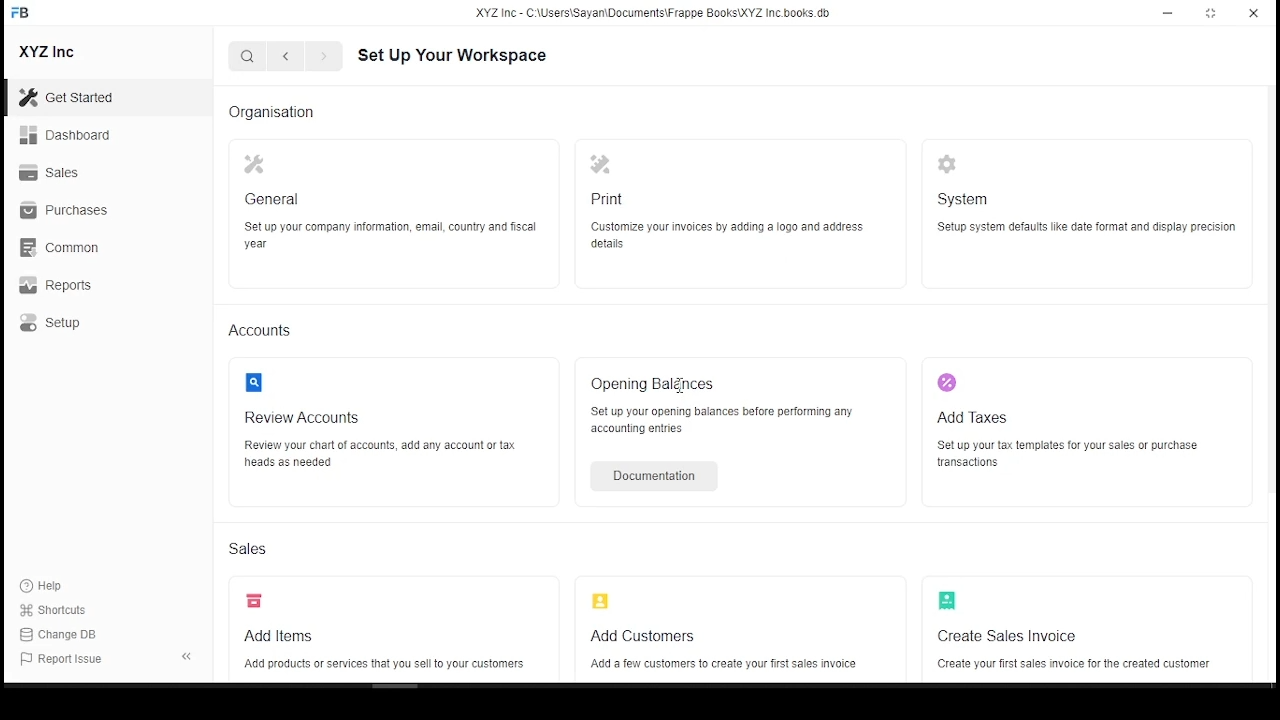 This screenshot has height=720, width=1280. What do you see at coordinates (61, 634) in the screenshot?
I see `Change DB` at bounding box center [61, 634].